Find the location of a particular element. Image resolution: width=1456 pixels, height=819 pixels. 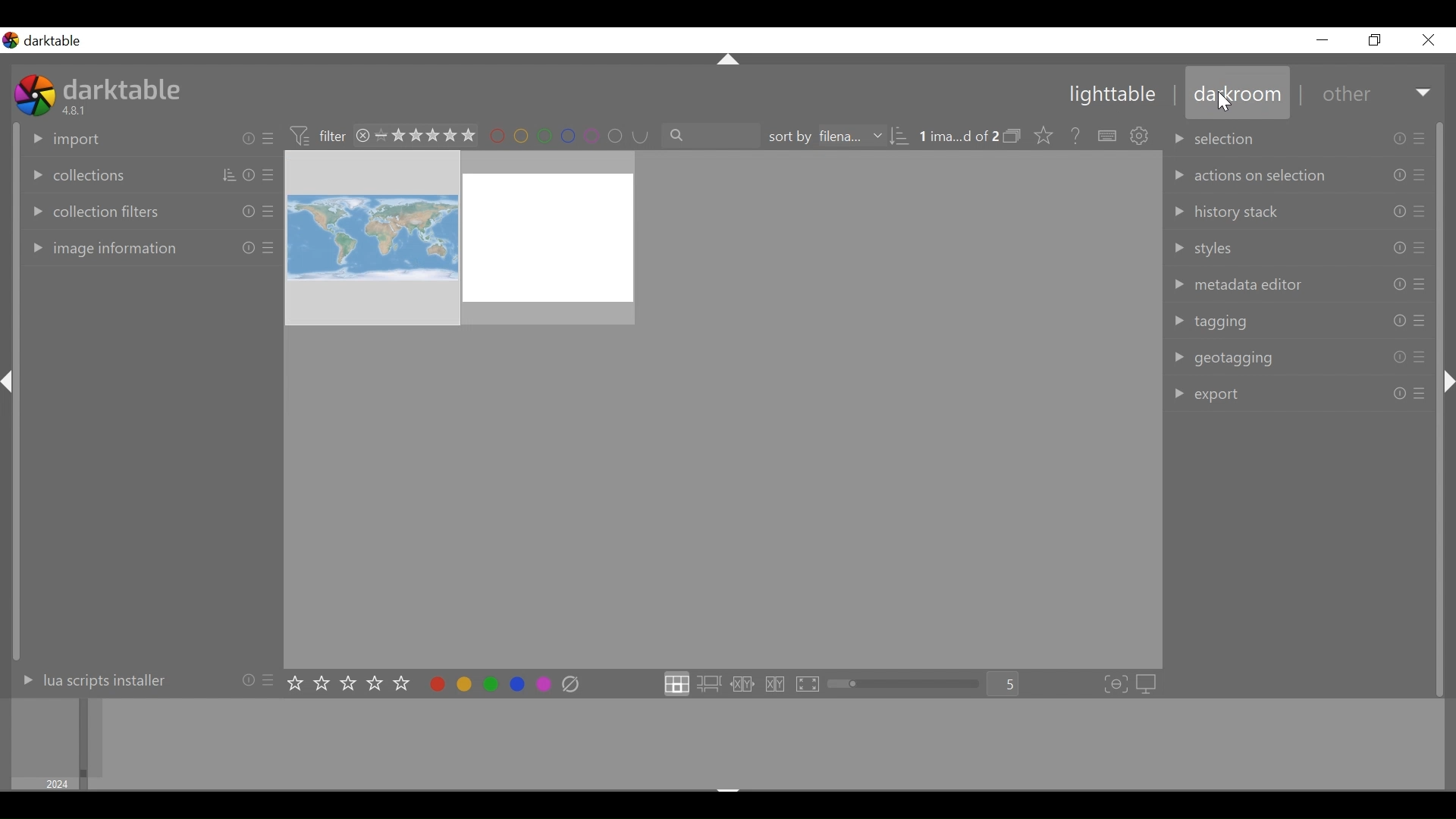

Other is located at coordinates (1377, 92).